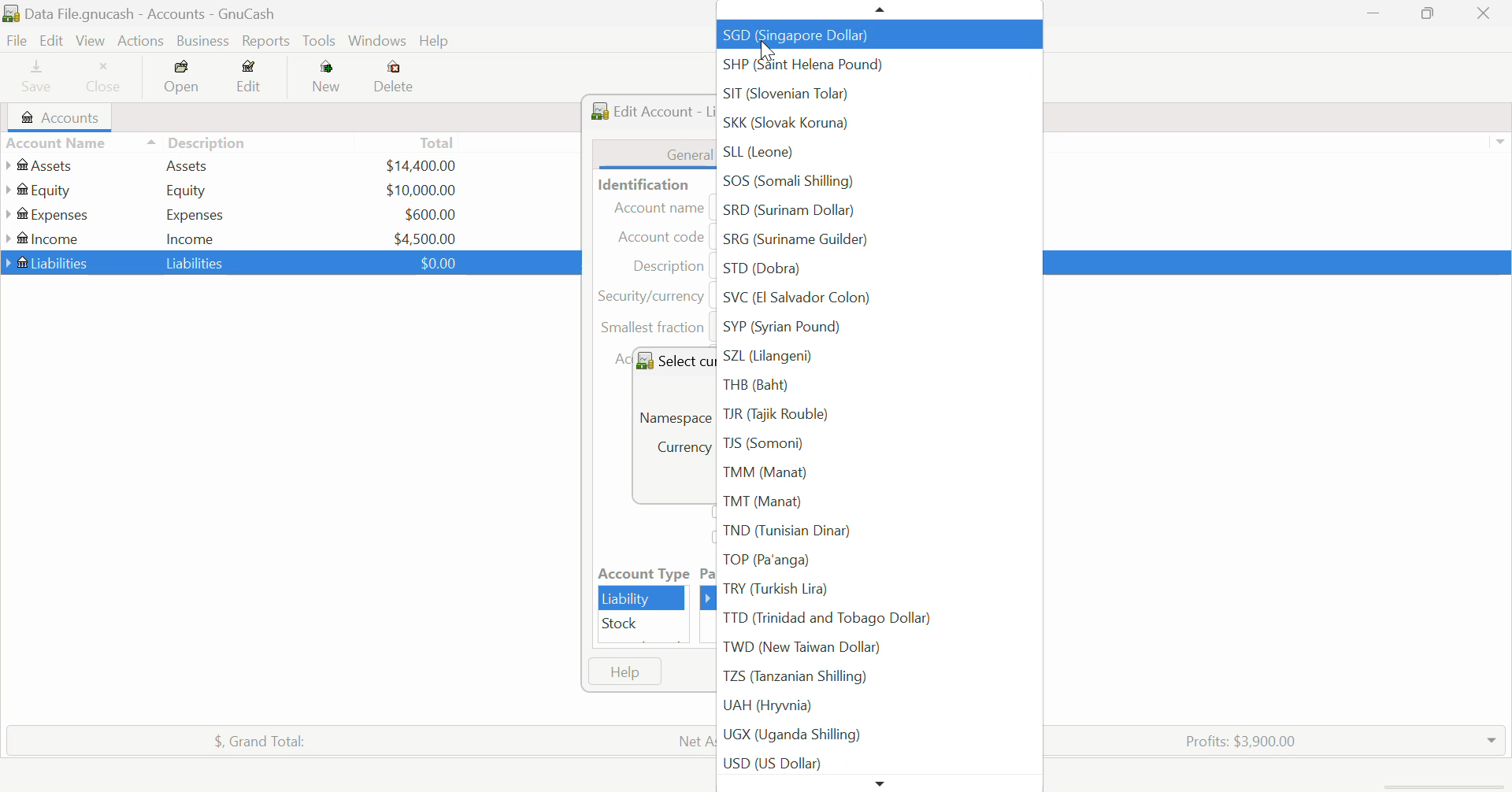  What do you see at coordinates (673, 360) in the screenshot?
I see `Select Currency` at bounding box center [673, 360].